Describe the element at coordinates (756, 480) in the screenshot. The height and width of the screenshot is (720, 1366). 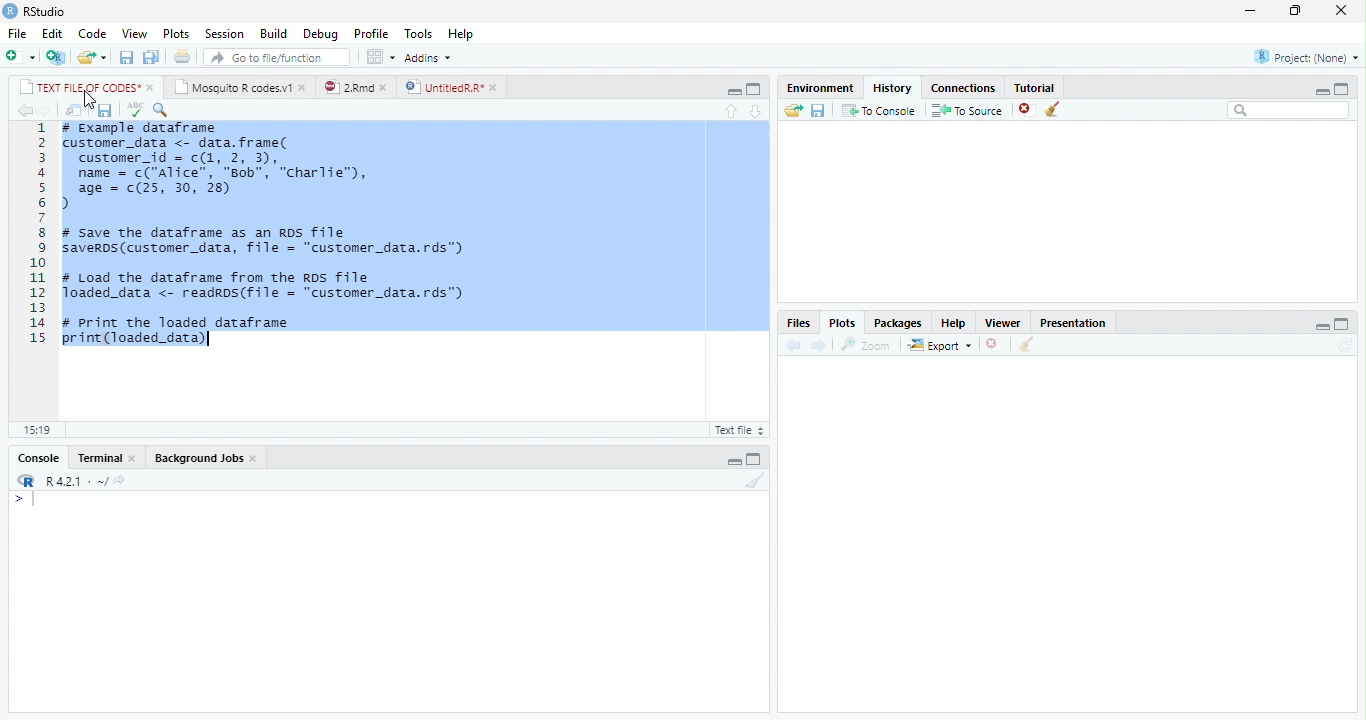
I see `clear` at that location.